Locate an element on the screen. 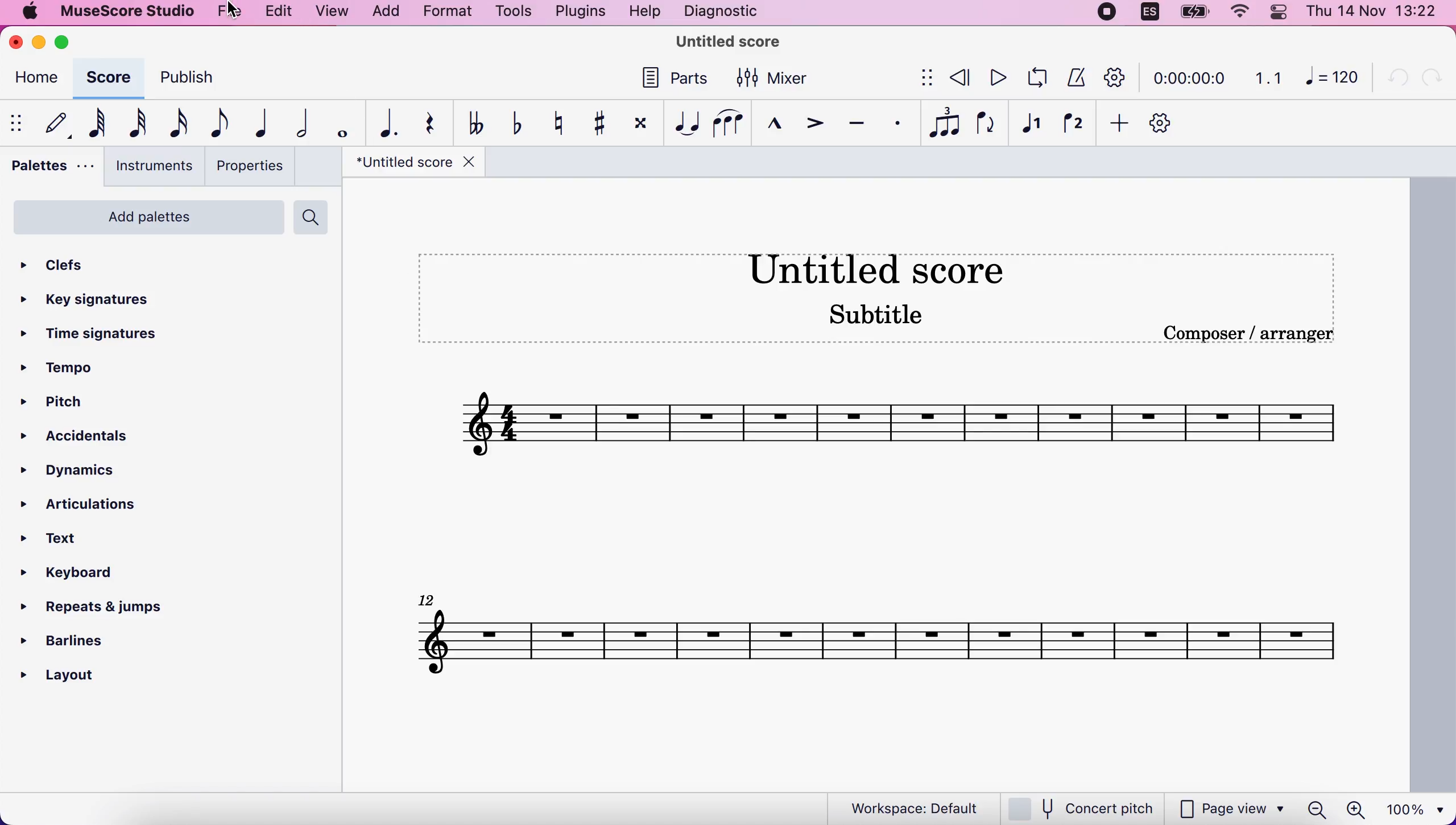  120 is located at coordinates (1334, 80).